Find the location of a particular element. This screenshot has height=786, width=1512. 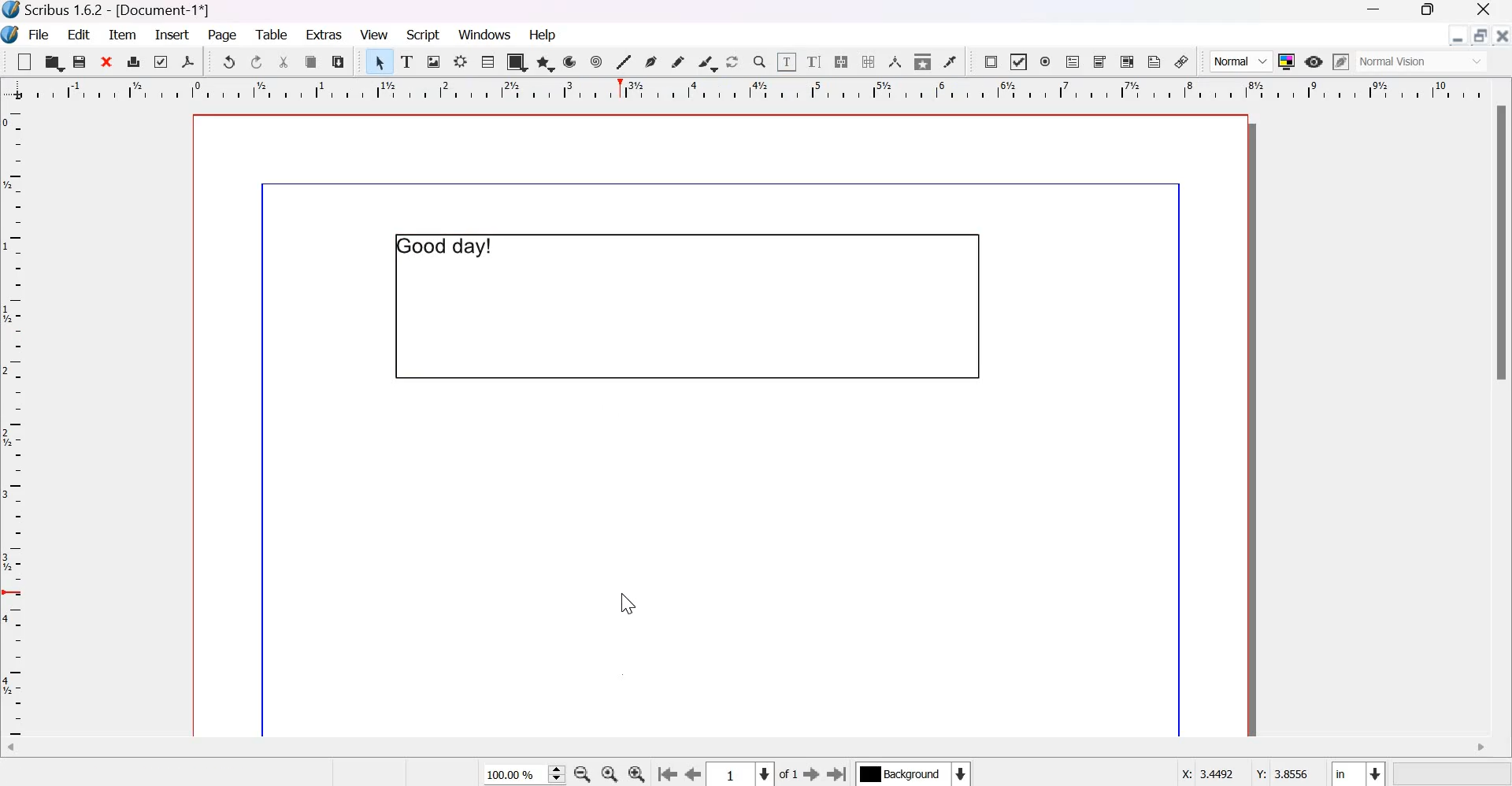

Eye dropper is located at coordinates (950, 61).